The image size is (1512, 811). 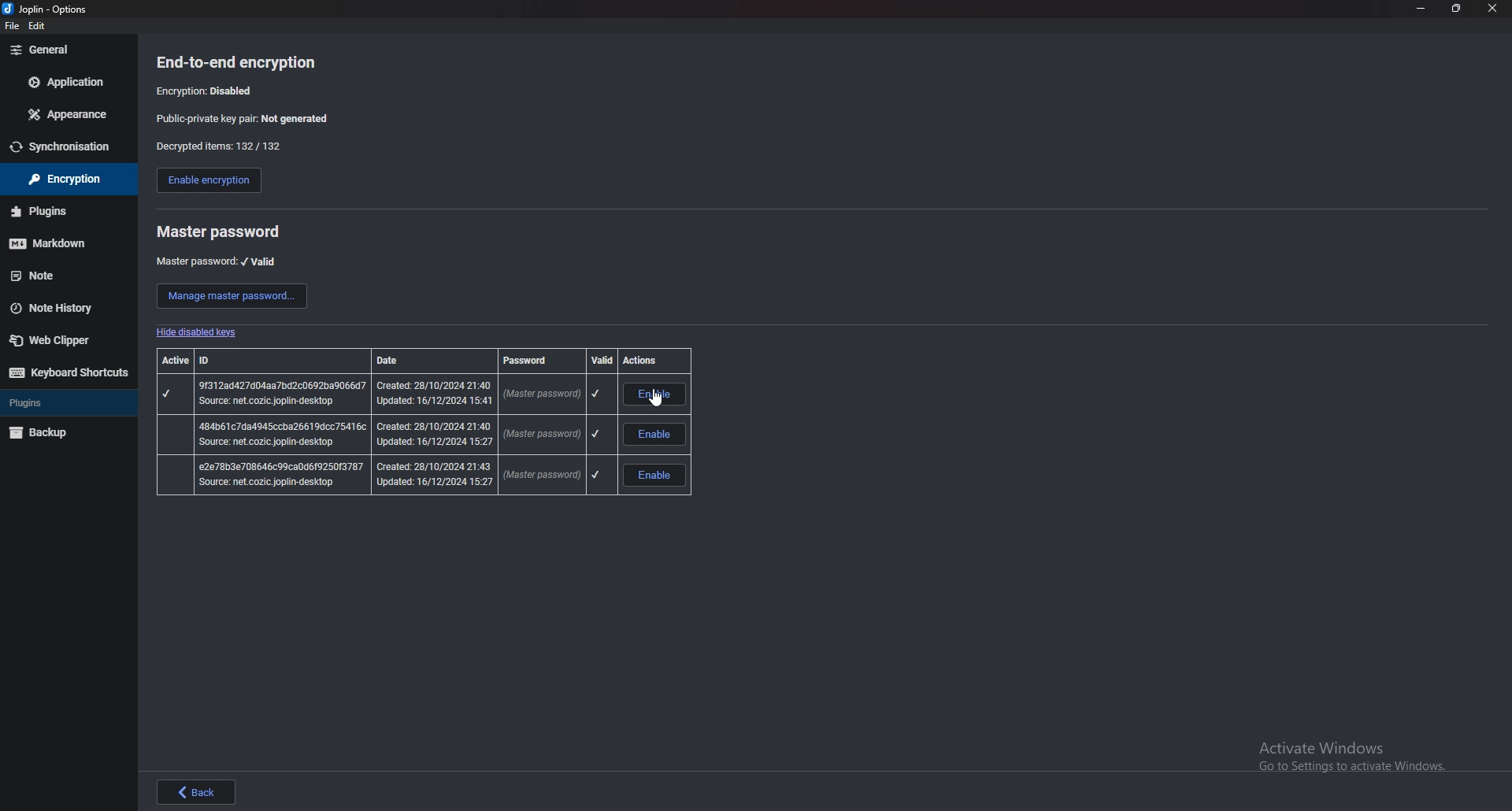 What do you see at coordinates (209, 180) in the screenshot?
I see `enable encryption` at bounding box center [209, 180].